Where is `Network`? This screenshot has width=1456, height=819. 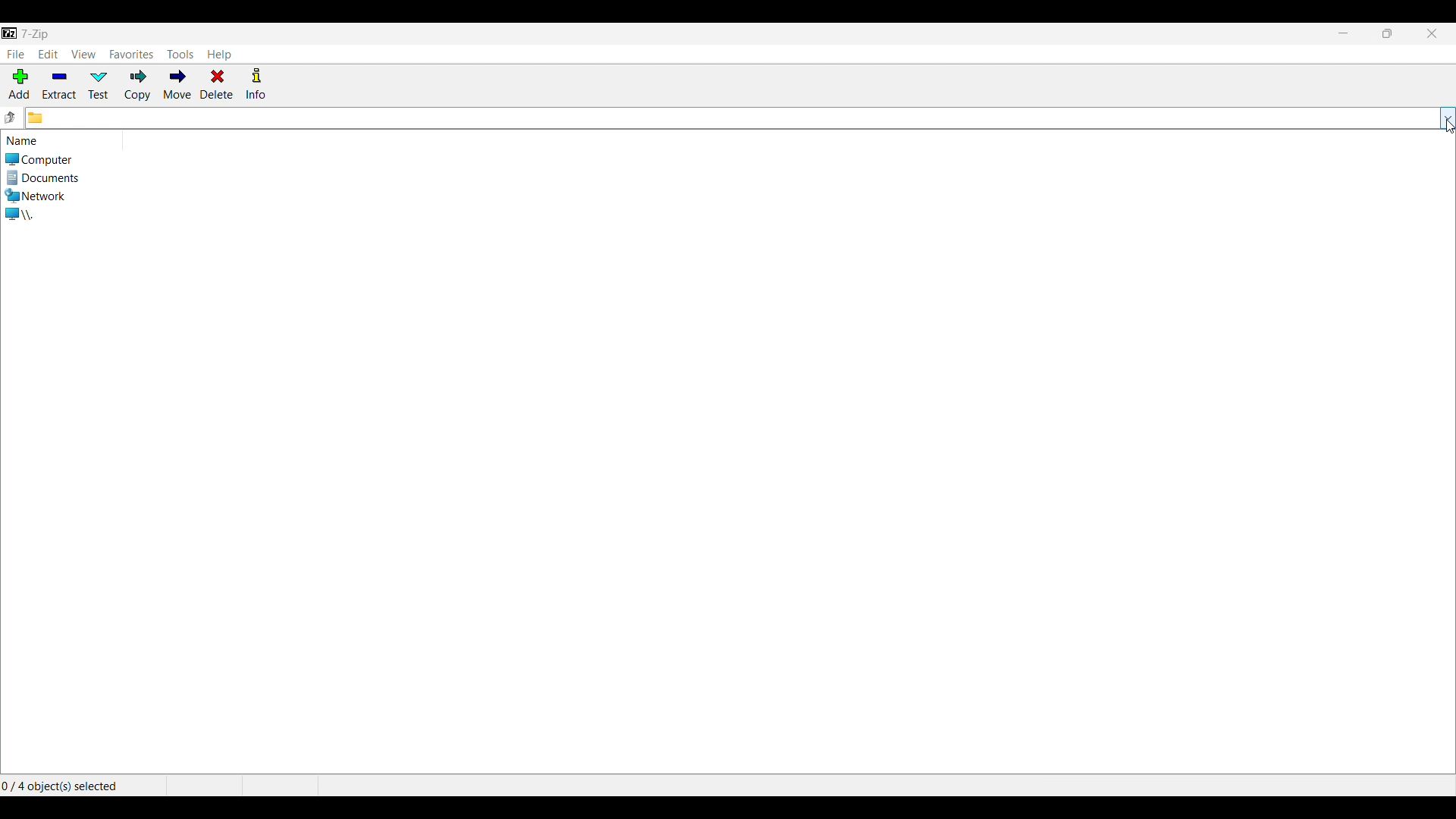
Network is located at coordinates (42, 196).